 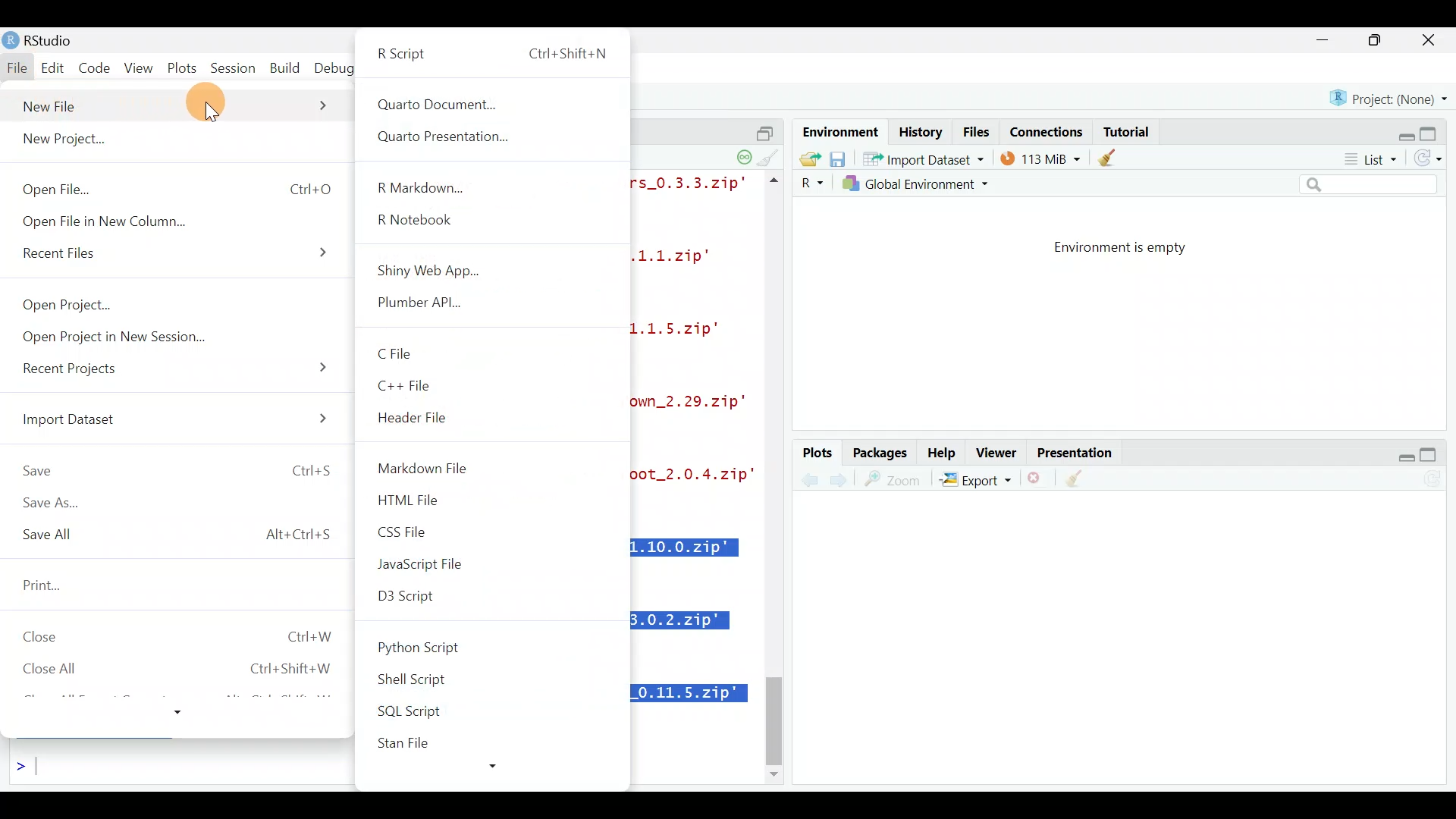 What do you see at coordinates (17, 67) in the screenshot?
I see `File` at bounding box center [17, 67].